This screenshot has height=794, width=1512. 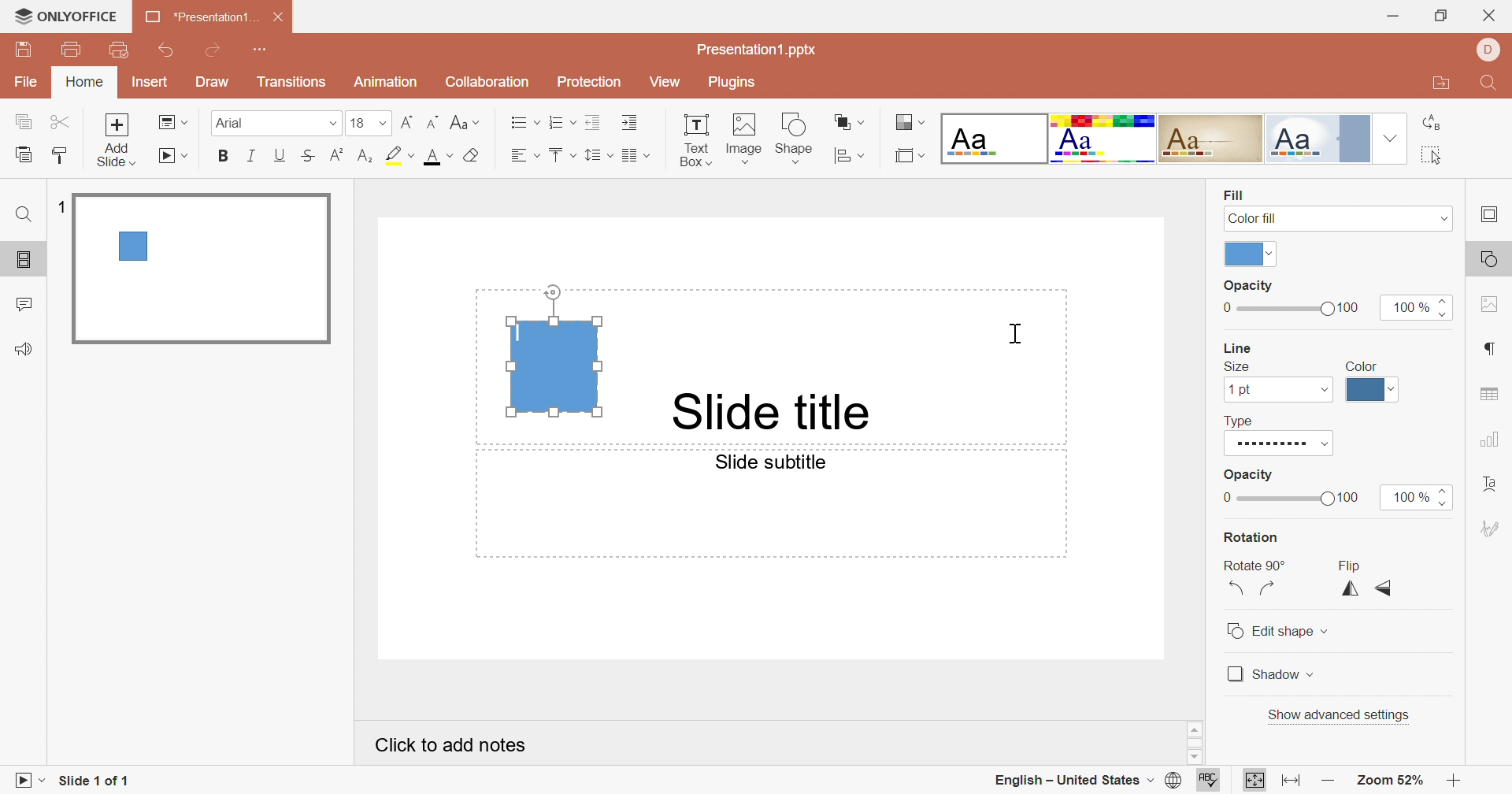 What do you see at coordinates (432, 123) in the screenshot?
I see `Decrement font size` at bounding box center [432, 123].